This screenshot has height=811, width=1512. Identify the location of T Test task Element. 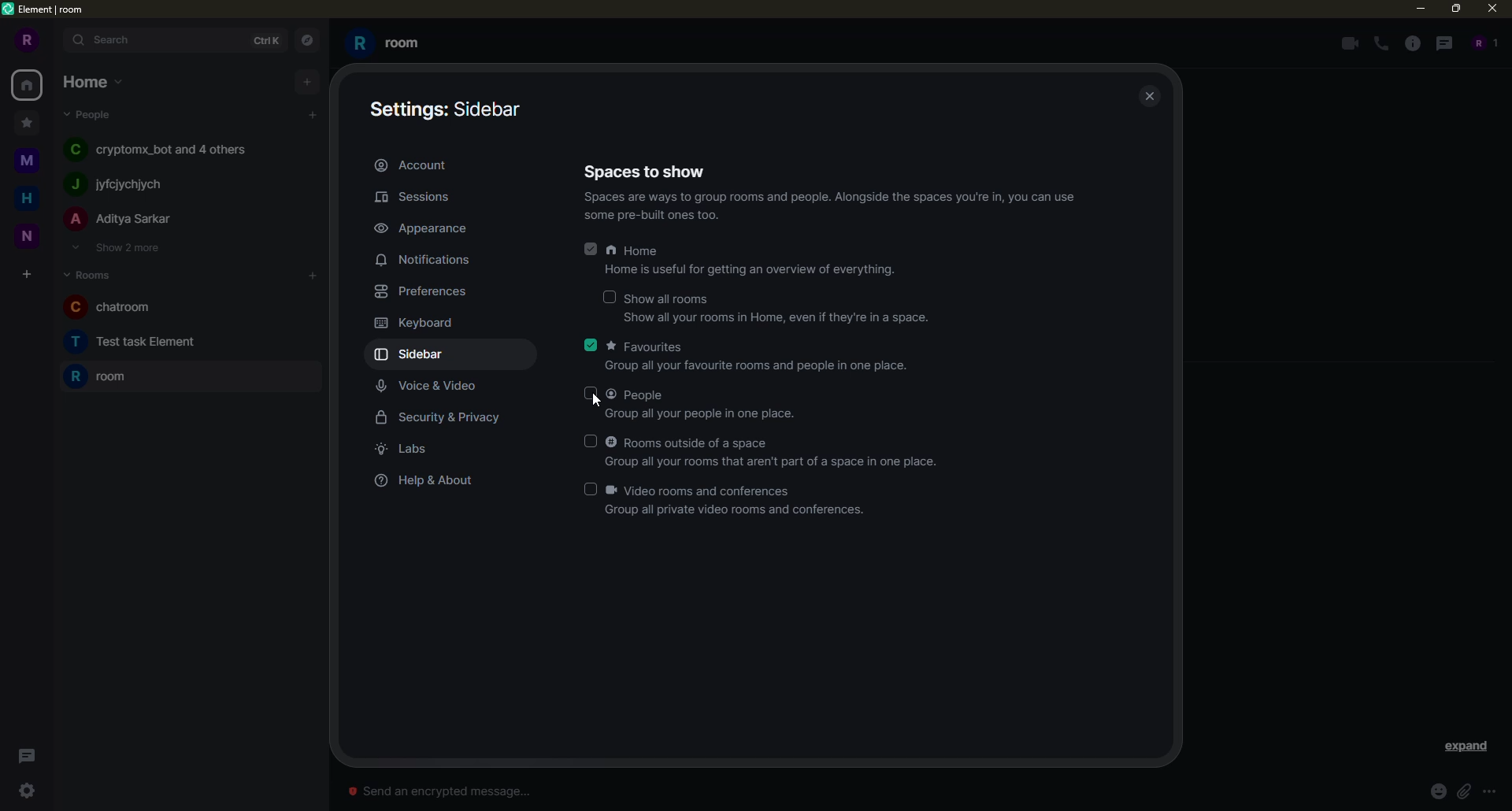
(128, 341).